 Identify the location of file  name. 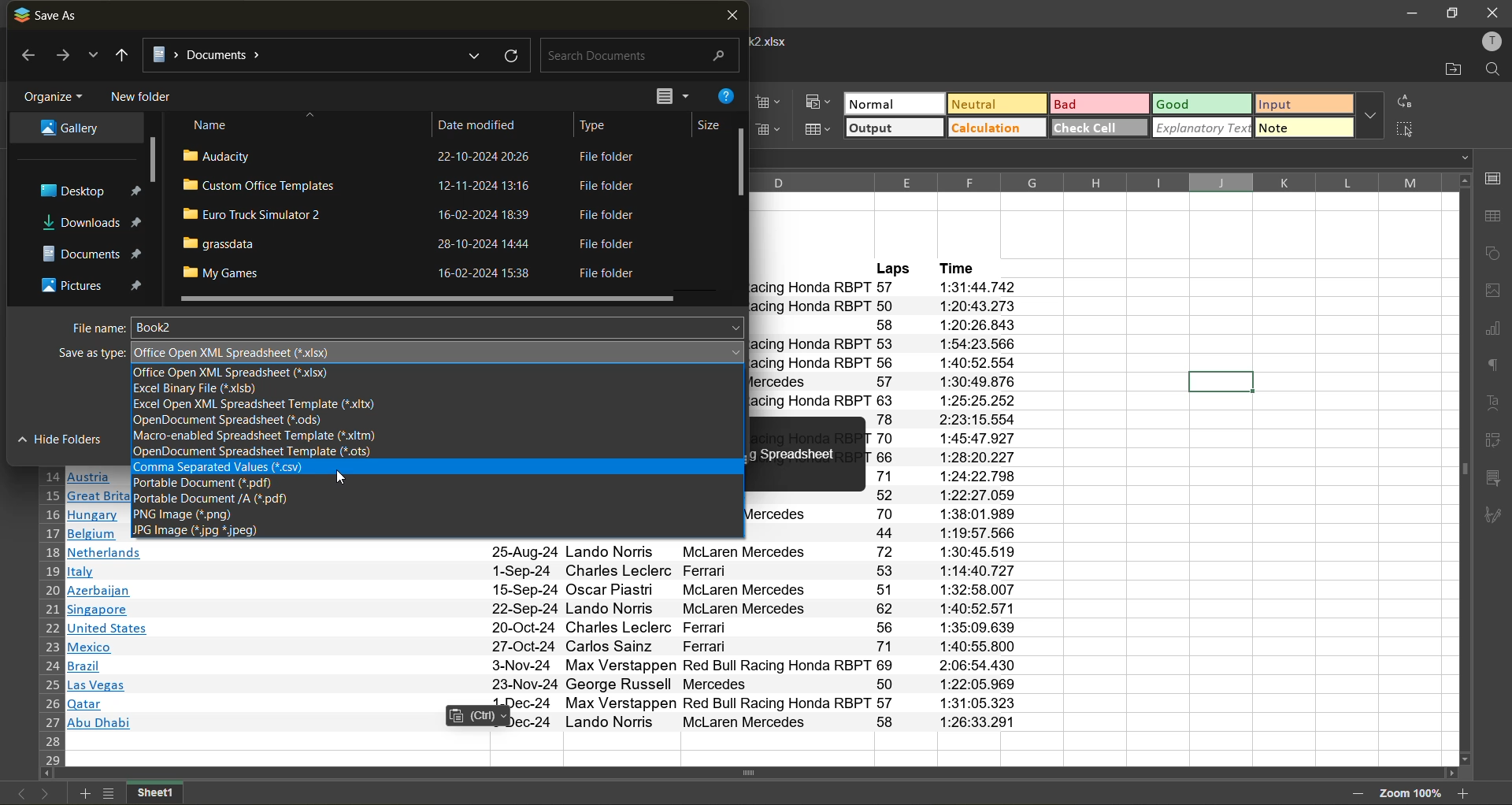
(89, 327).